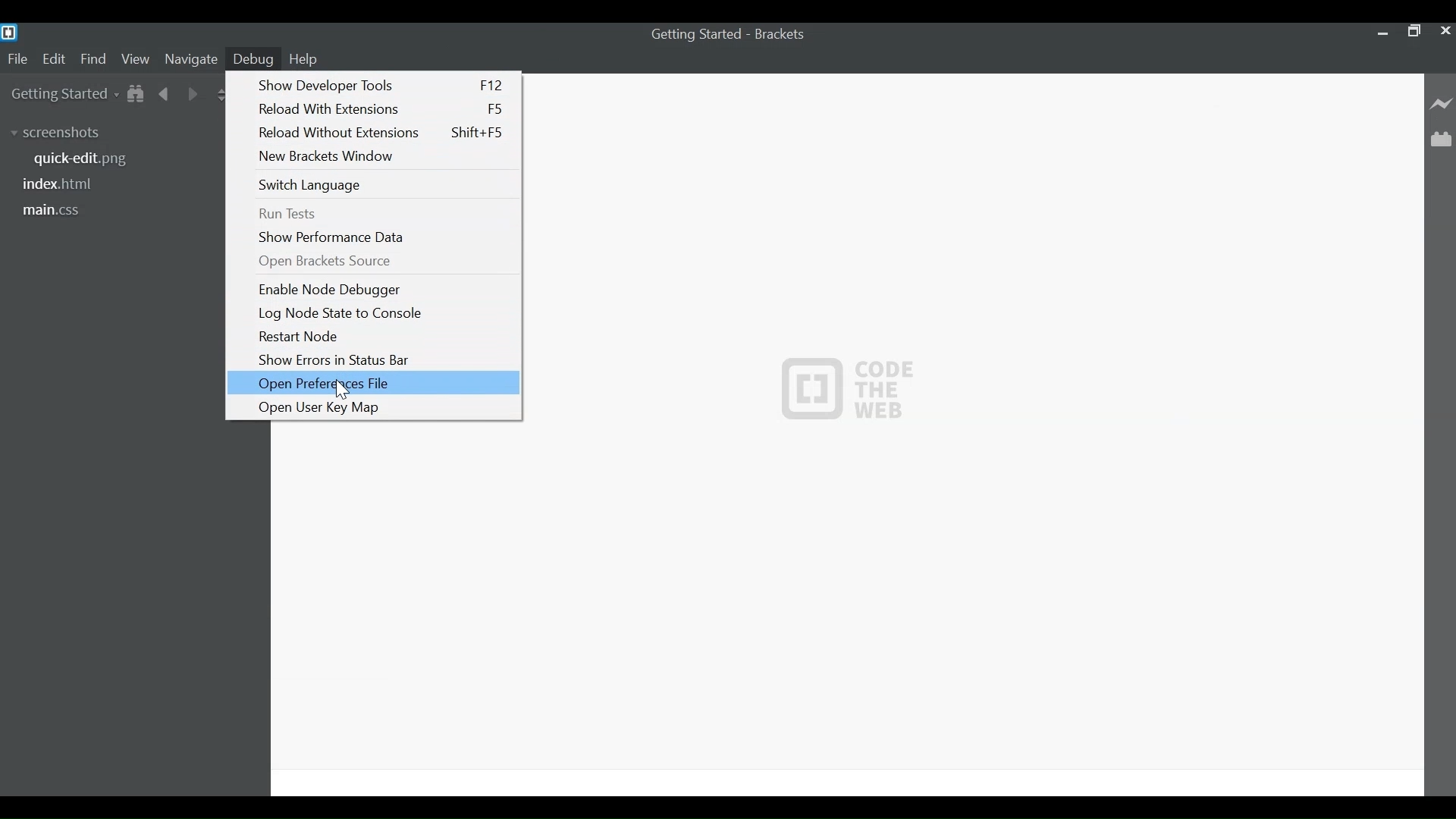 This screenshot has height=819, width=1456. Describe the element at coordinates (1412, 30) in the screenshot. I see `Restore` at that location.